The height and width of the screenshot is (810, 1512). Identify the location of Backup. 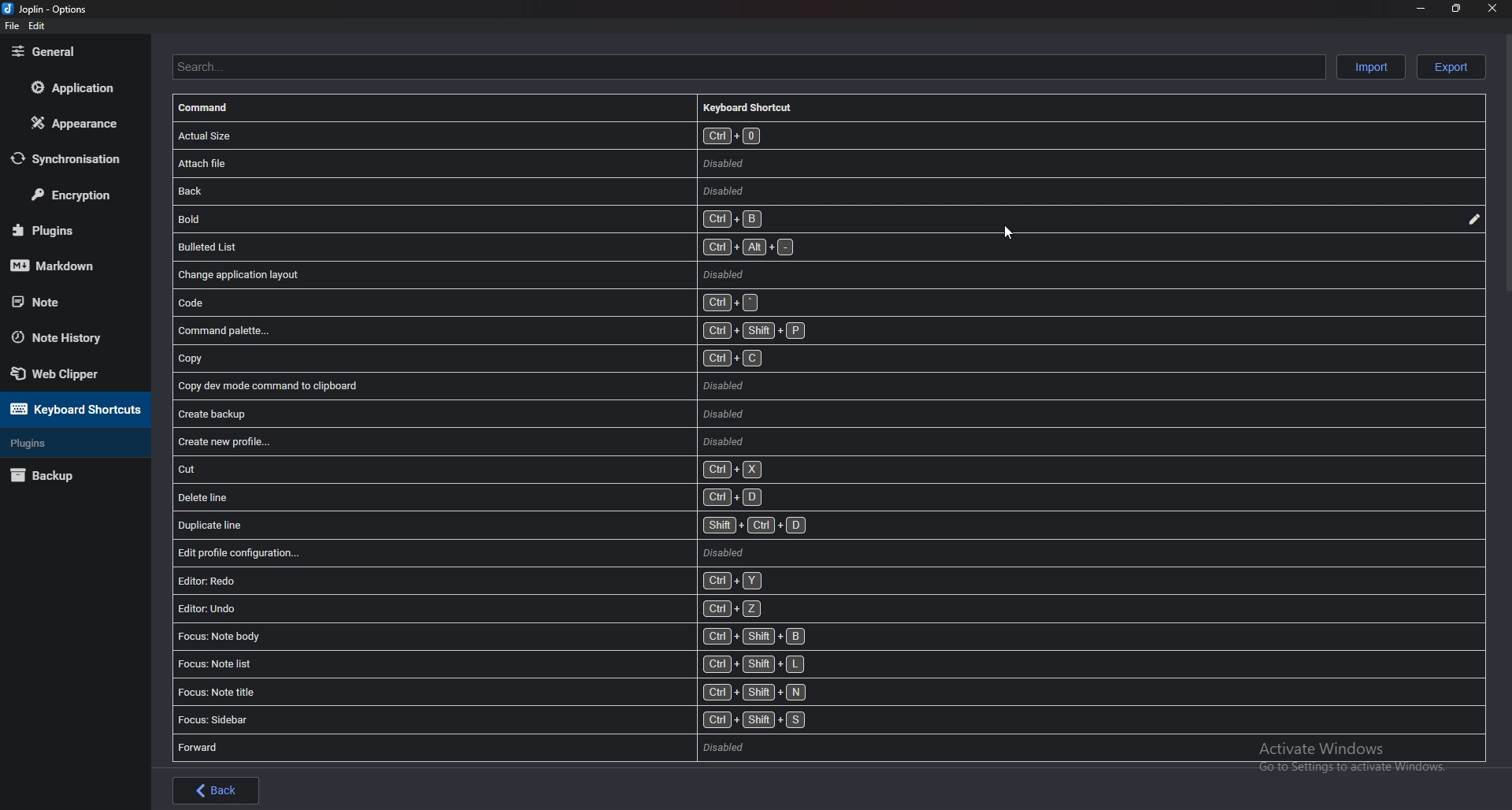
(65, 477).